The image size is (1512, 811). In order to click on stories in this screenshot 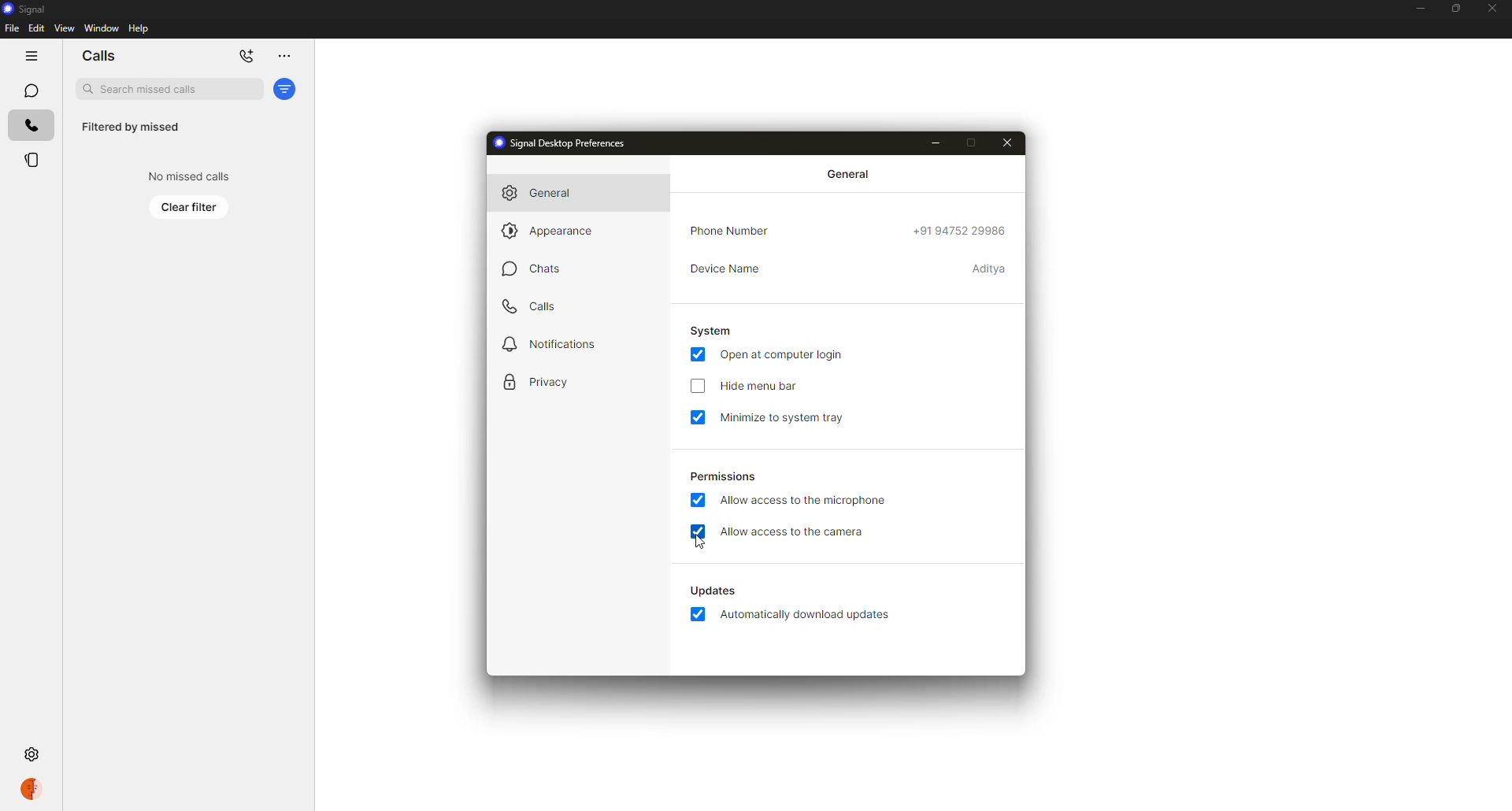, I will do `click(31, 161)`.